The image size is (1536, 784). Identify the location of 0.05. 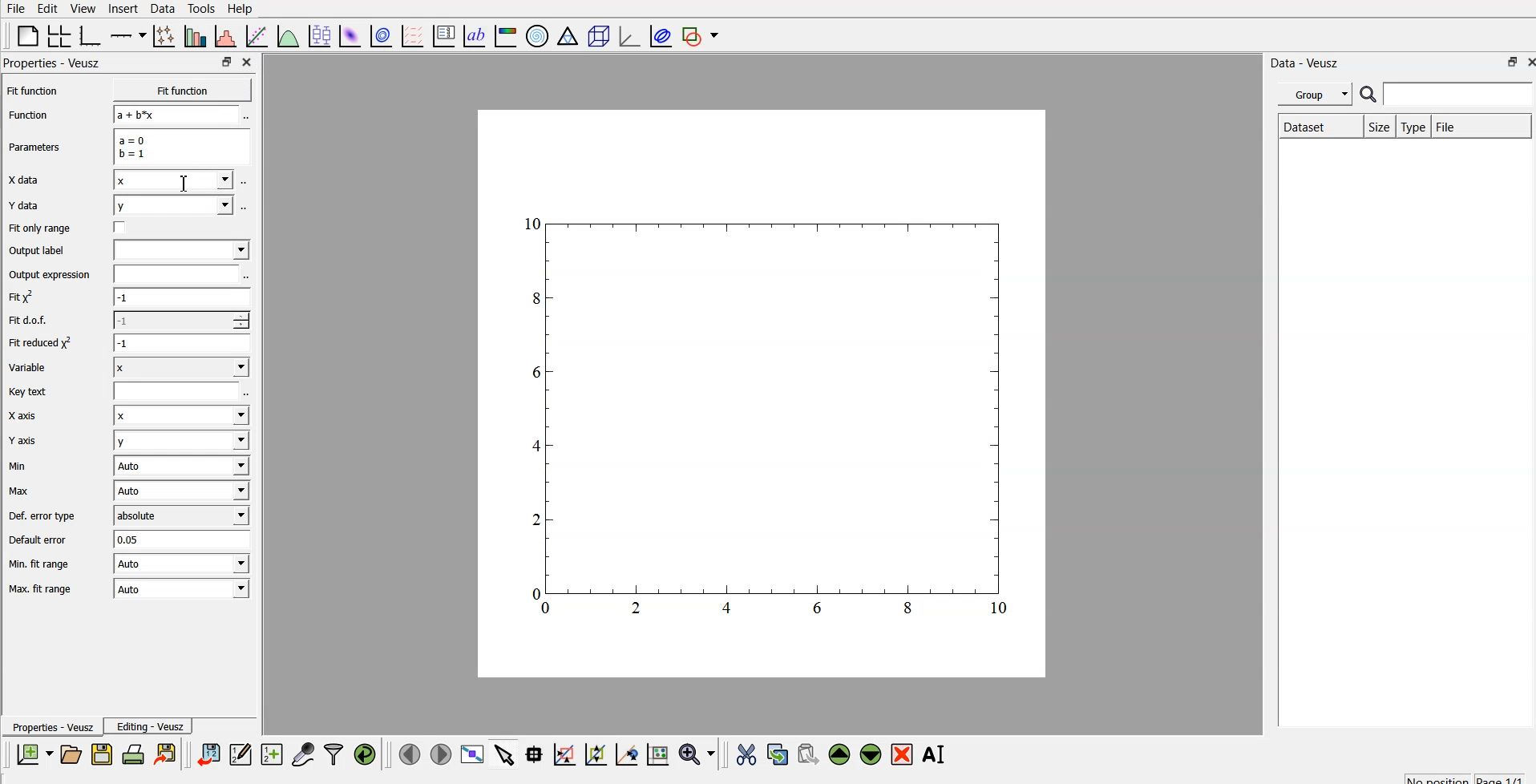
(180, 540).